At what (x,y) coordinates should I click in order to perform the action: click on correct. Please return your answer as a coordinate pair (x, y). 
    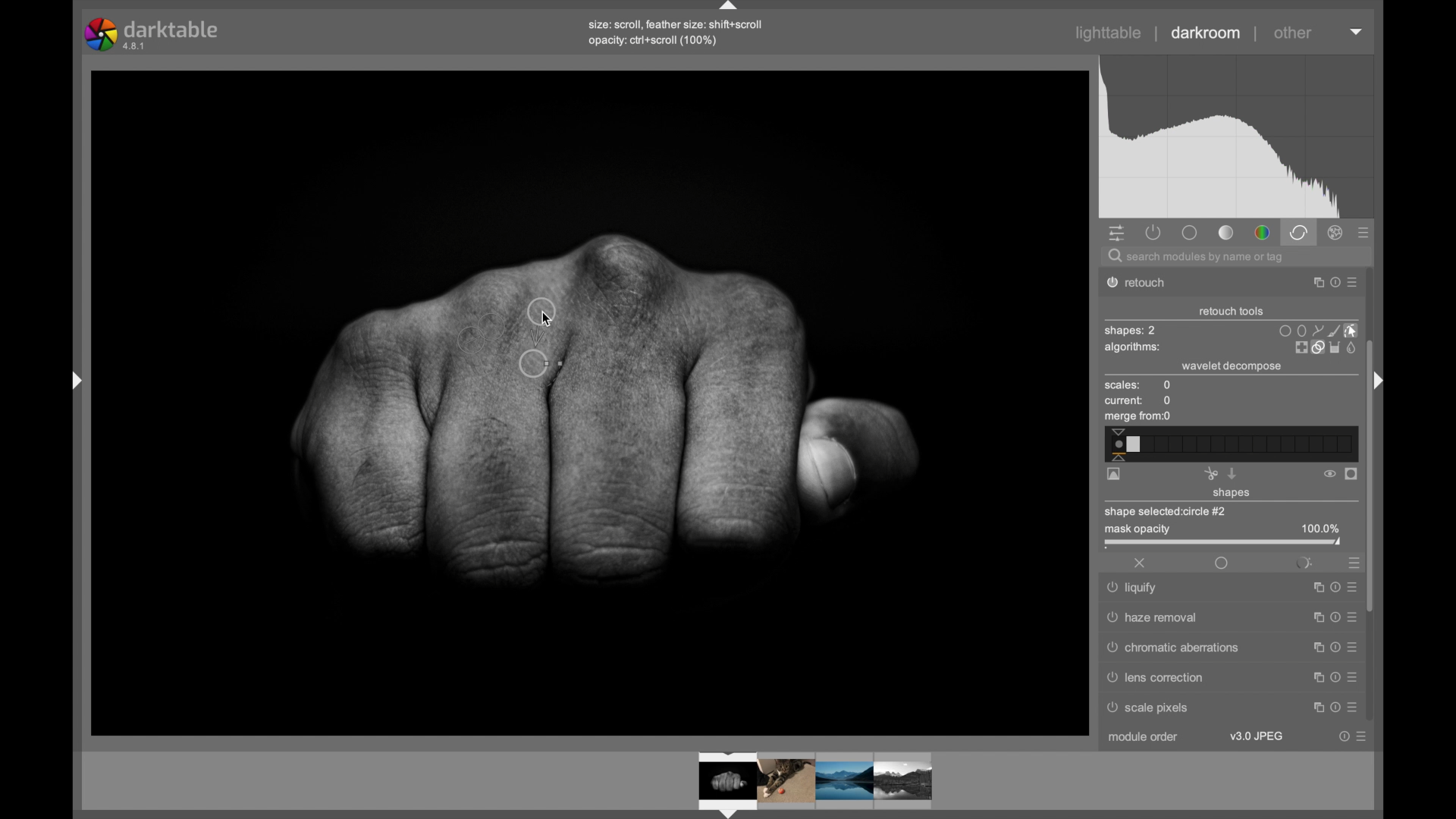
    Looking at the image, I should click on (1298, 232).